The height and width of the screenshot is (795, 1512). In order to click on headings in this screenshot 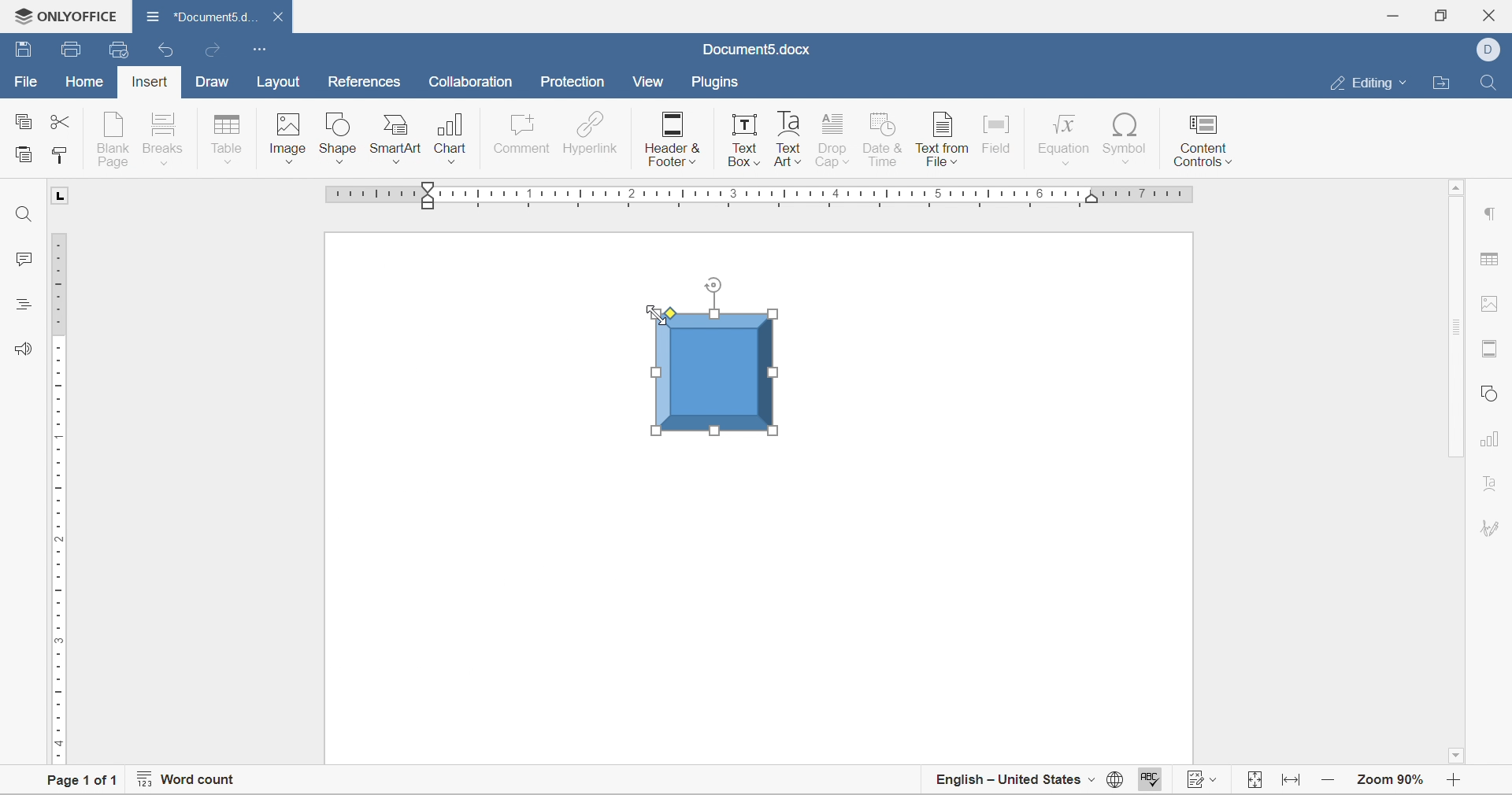, I will do `click(24, 304)`.